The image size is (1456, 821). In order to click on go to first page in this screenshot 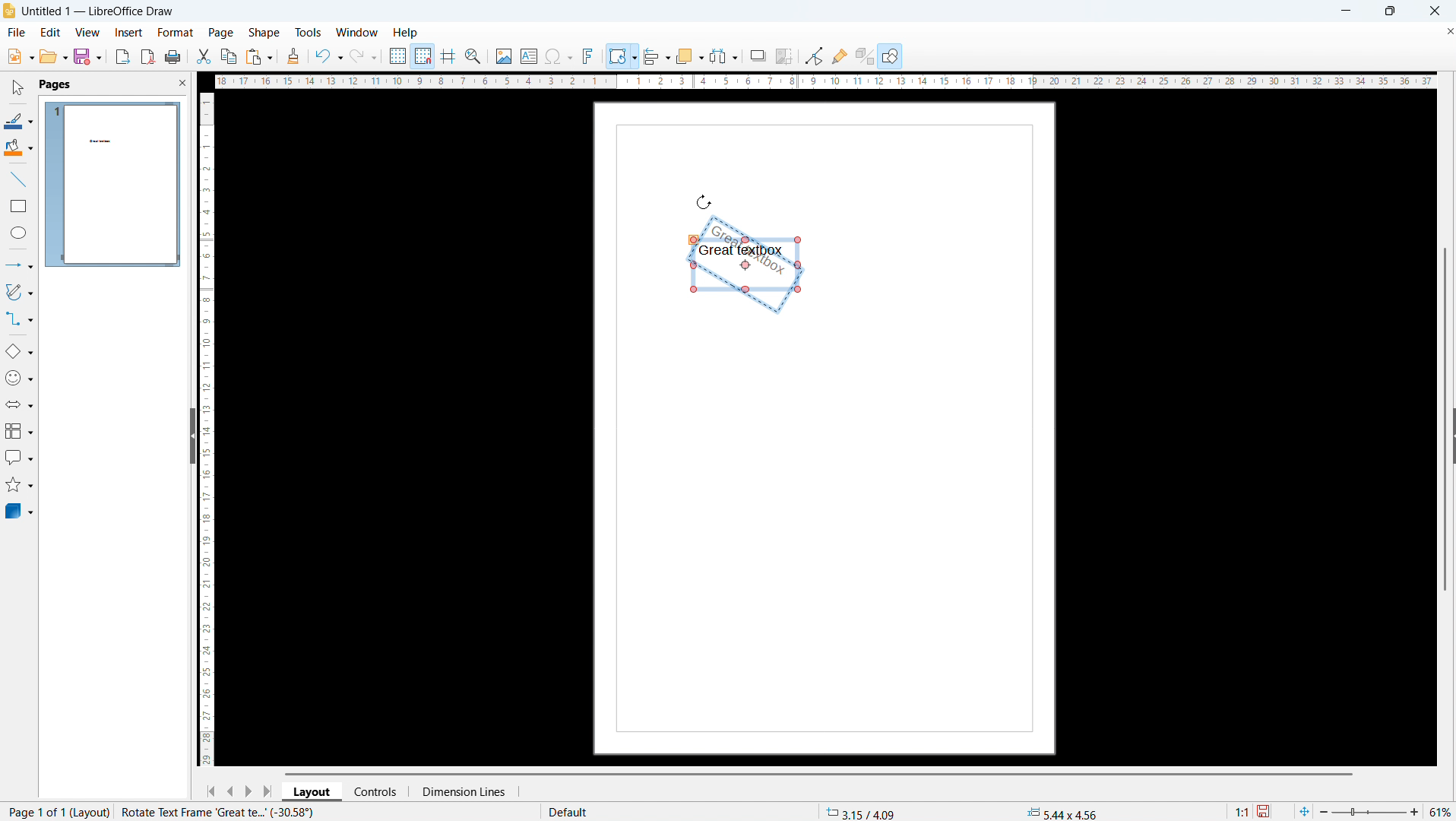, I will do `click(210, 791)`.